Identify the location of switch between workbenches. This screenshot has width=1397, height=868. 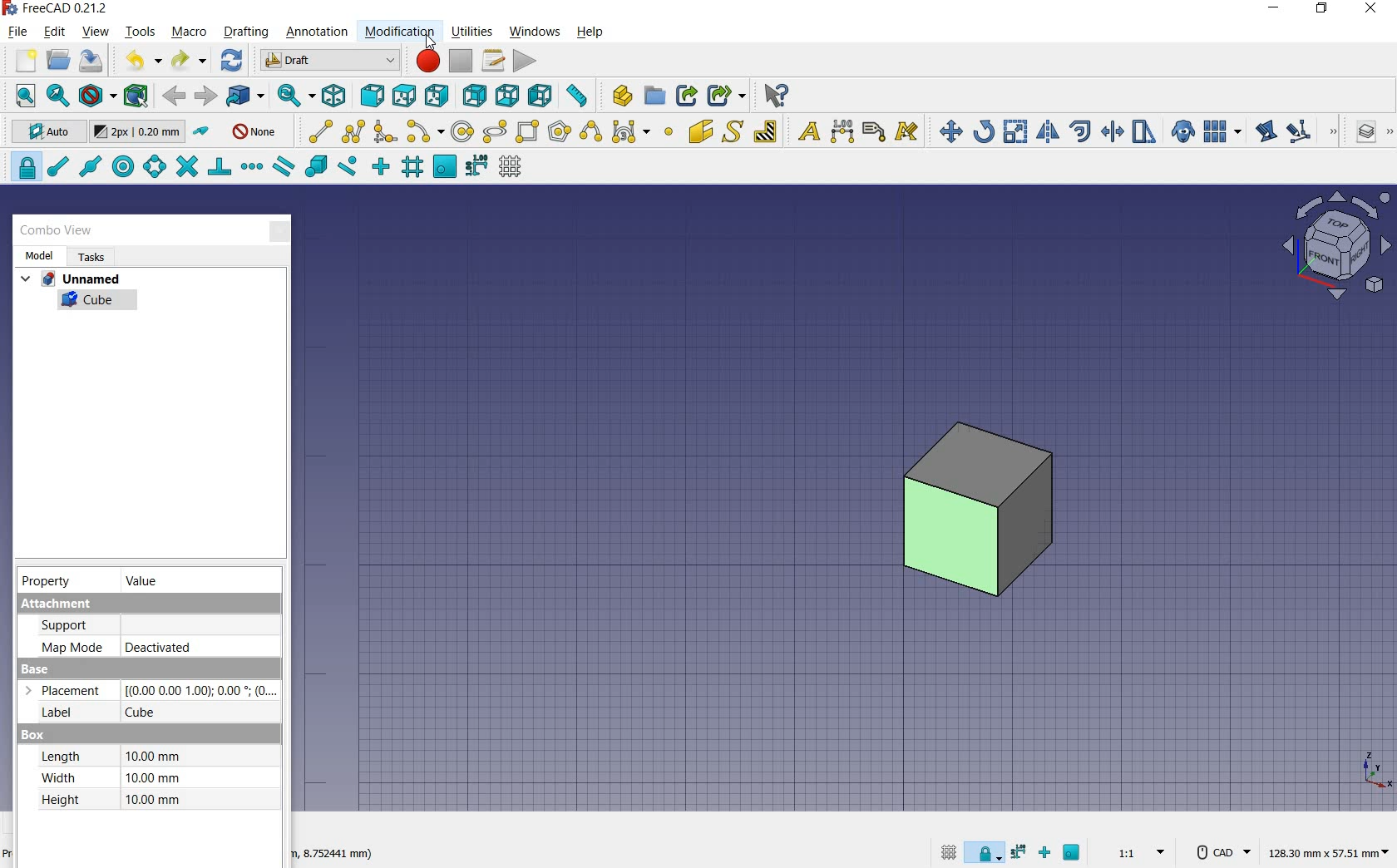
(328, 62).